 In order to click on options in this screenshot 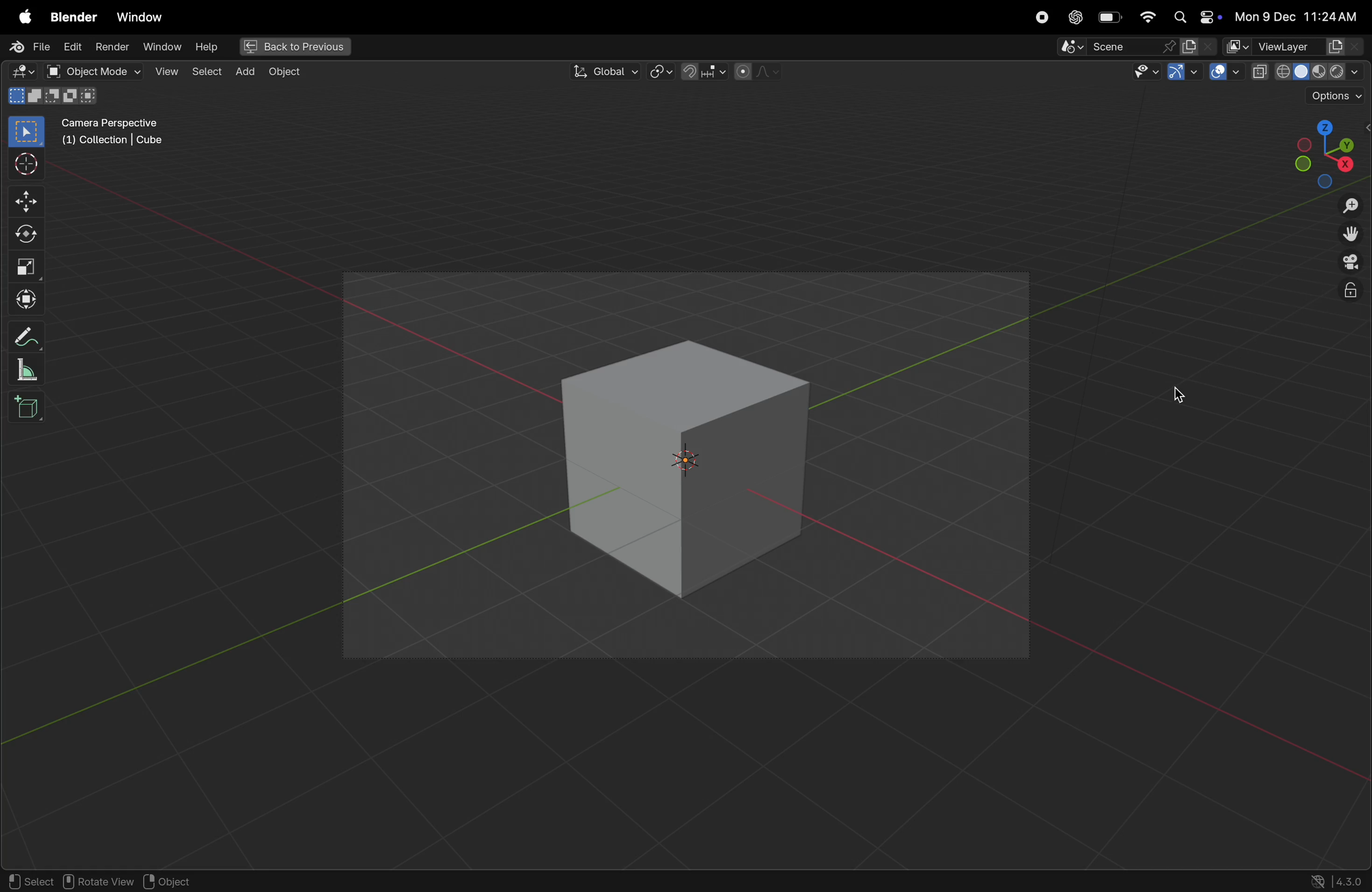, I will do `click(1331, 97)`.